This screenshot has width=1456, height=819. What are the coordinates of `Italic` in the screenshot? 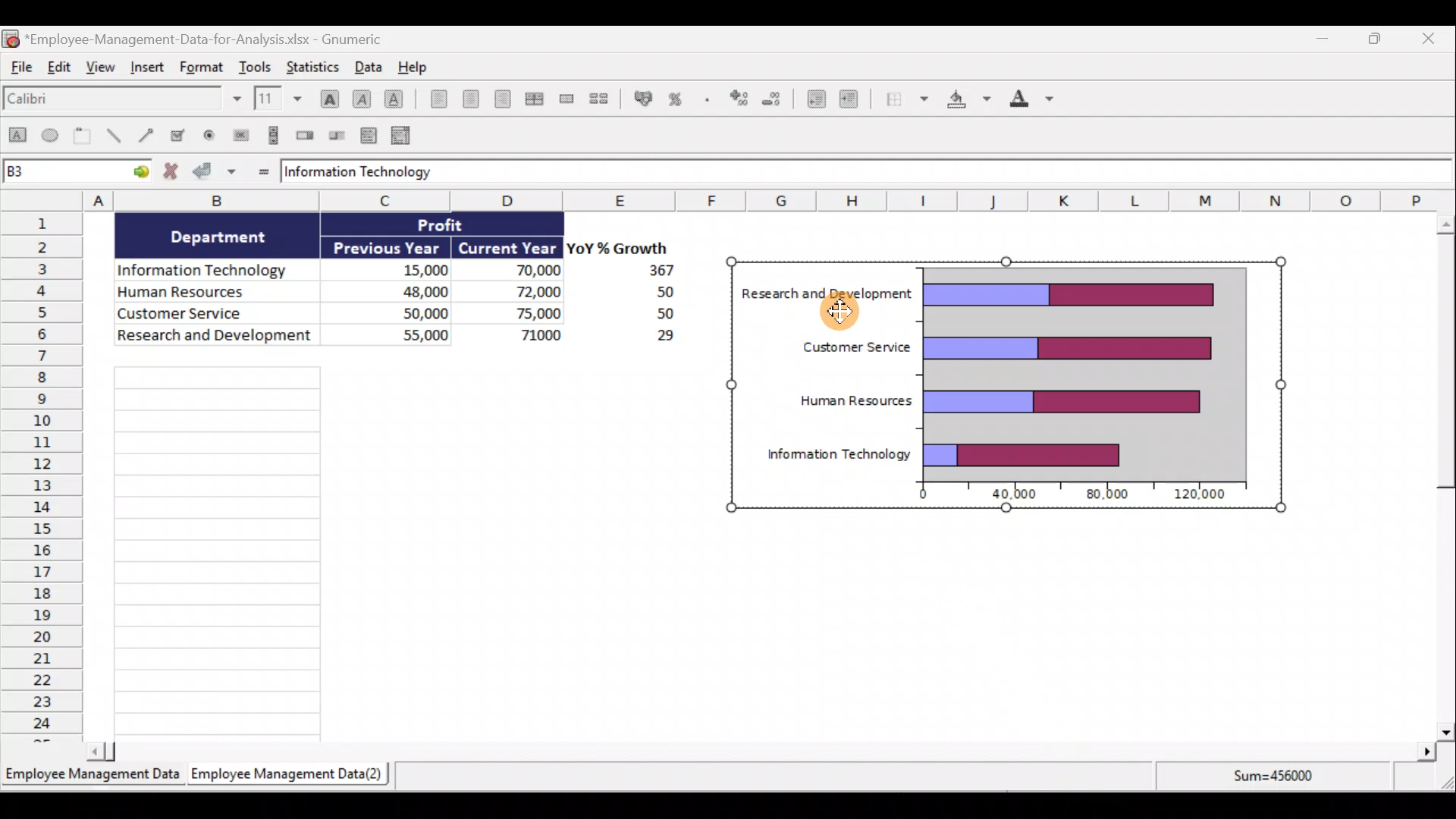 It's located at (362, 97).